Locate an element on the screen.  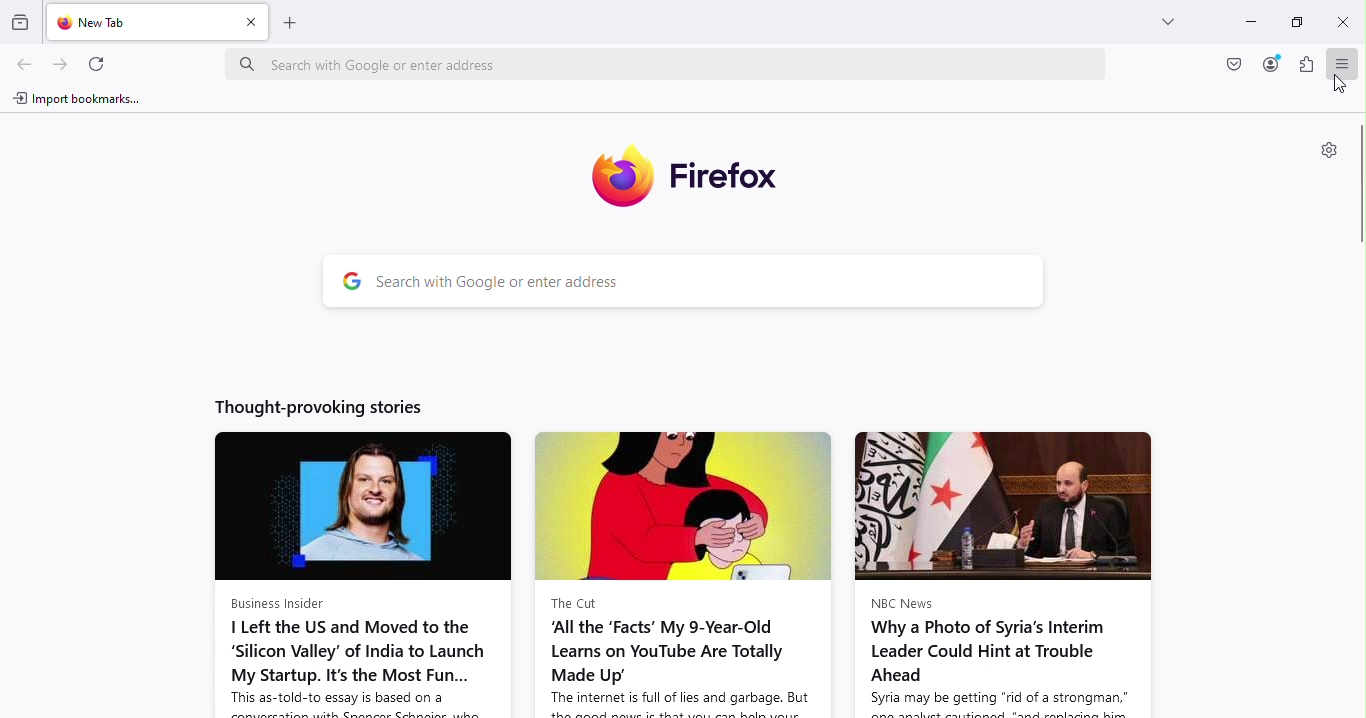
Import bookmarks is located at coordinates (77, 96).